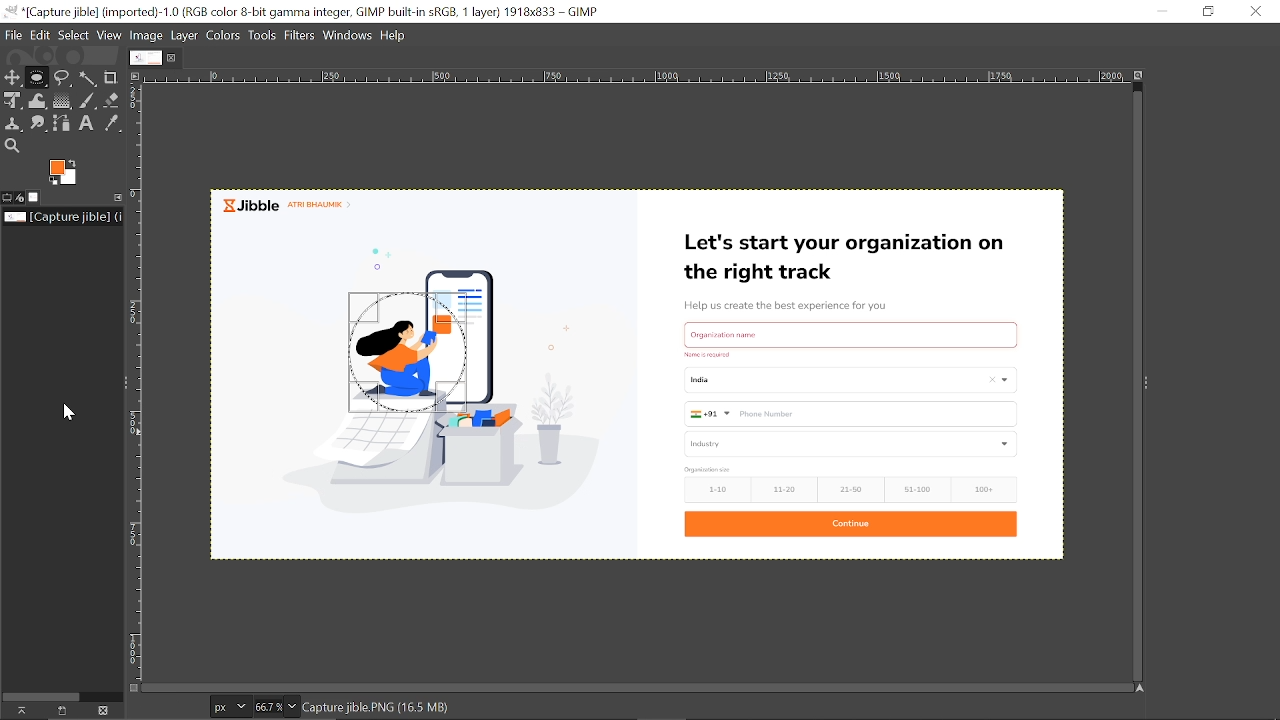 The width and height of the screenshot is (1280, 720). Describe the element at coordinates (378, 706) in the screenshot. I see `Capture jible. PNG (16.5 MB)` at that location.